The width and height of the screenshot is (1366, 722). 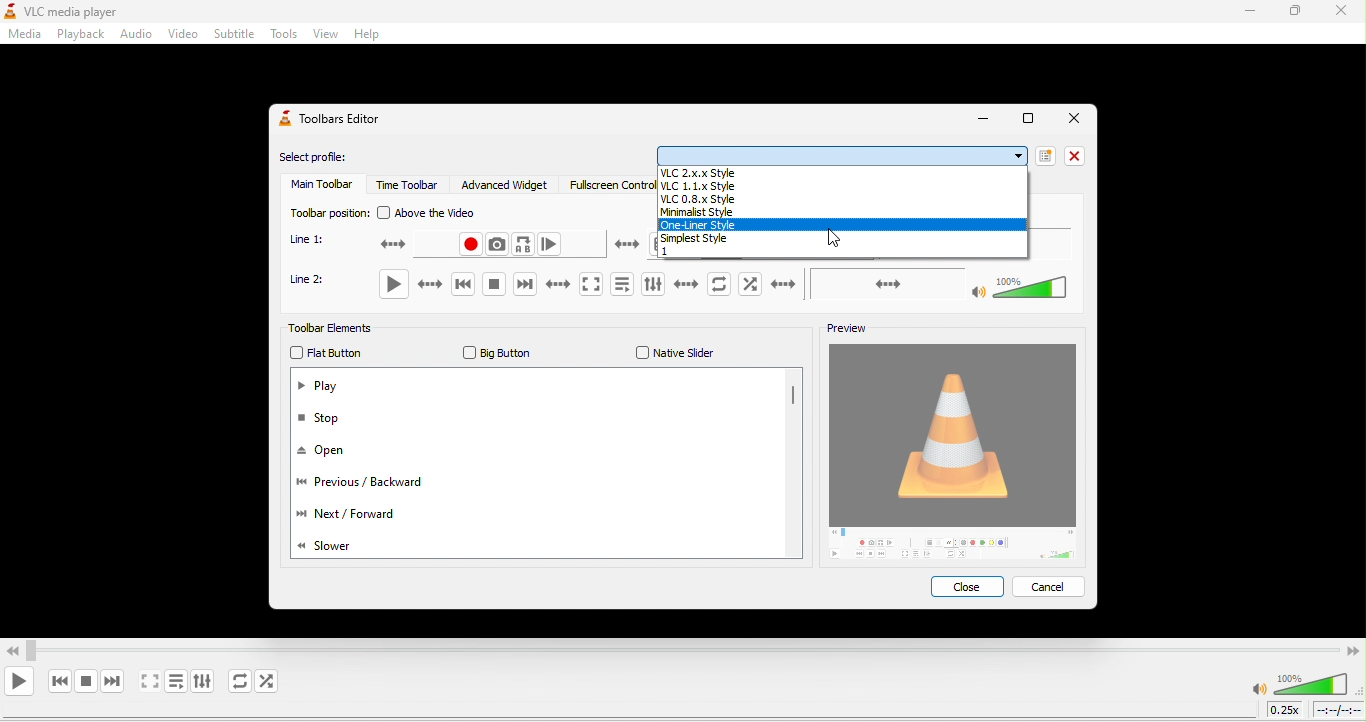 I want to click on line 2, so click(x=316, y=280).